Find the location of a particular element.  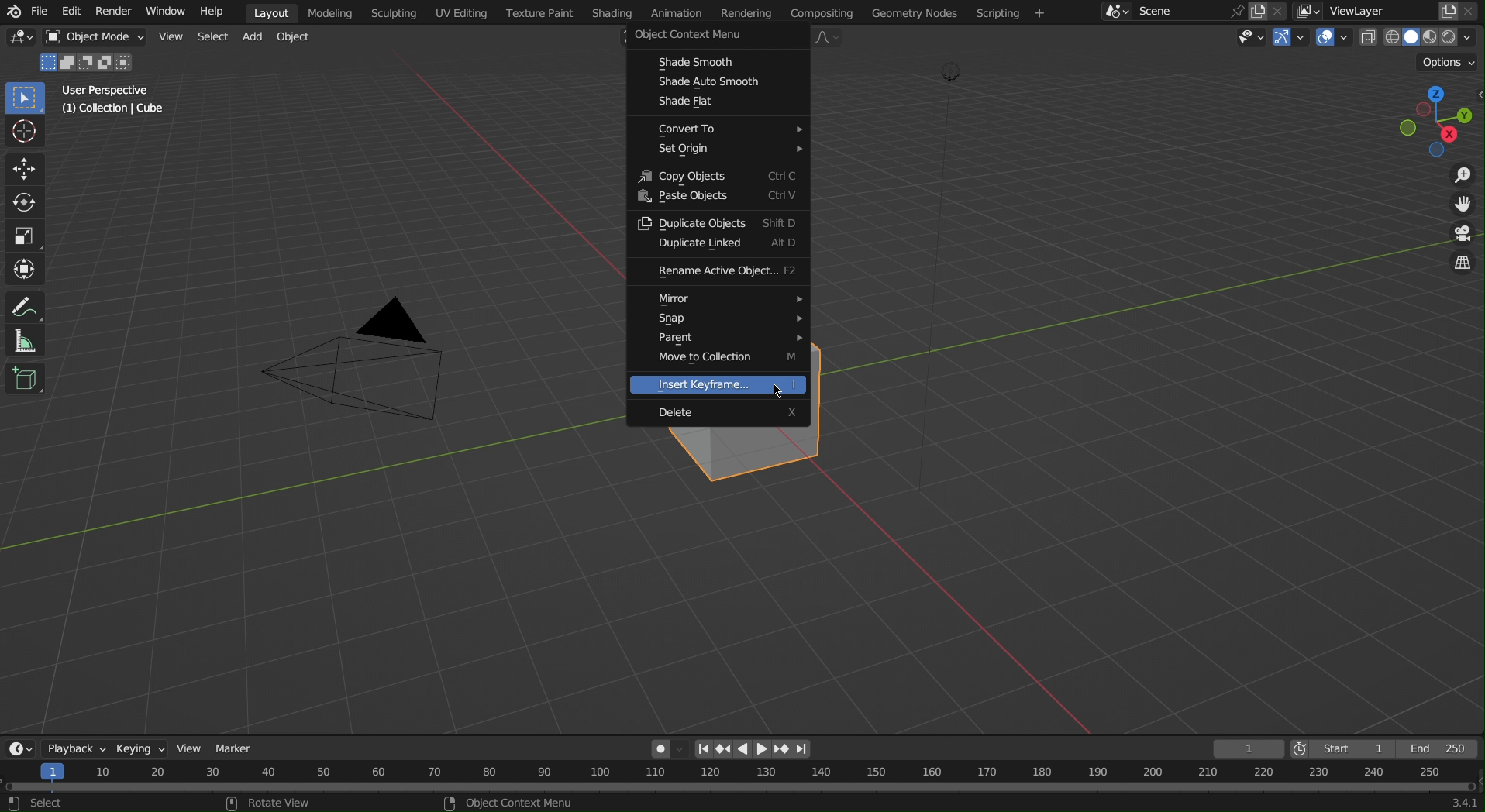

Animation is located at coordinates (678, 12).